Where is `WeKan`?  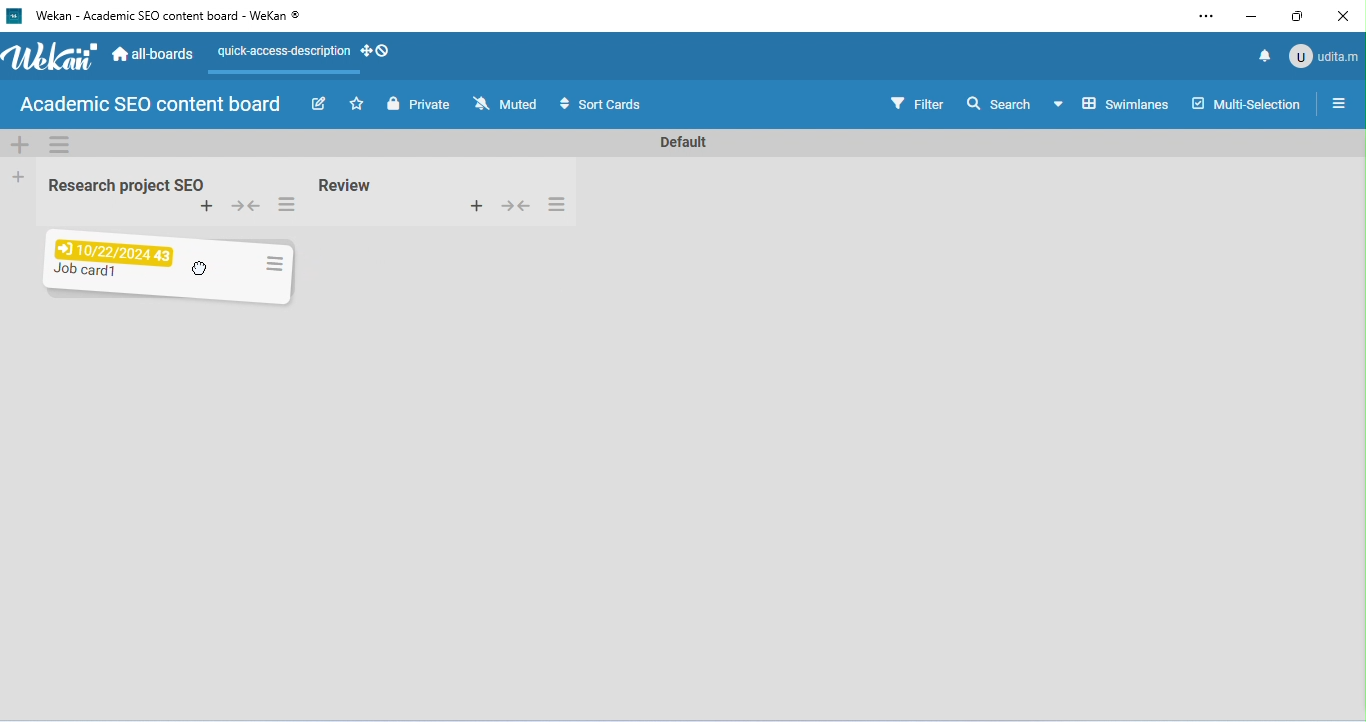
WeKan is located at coordinates (50, 57).